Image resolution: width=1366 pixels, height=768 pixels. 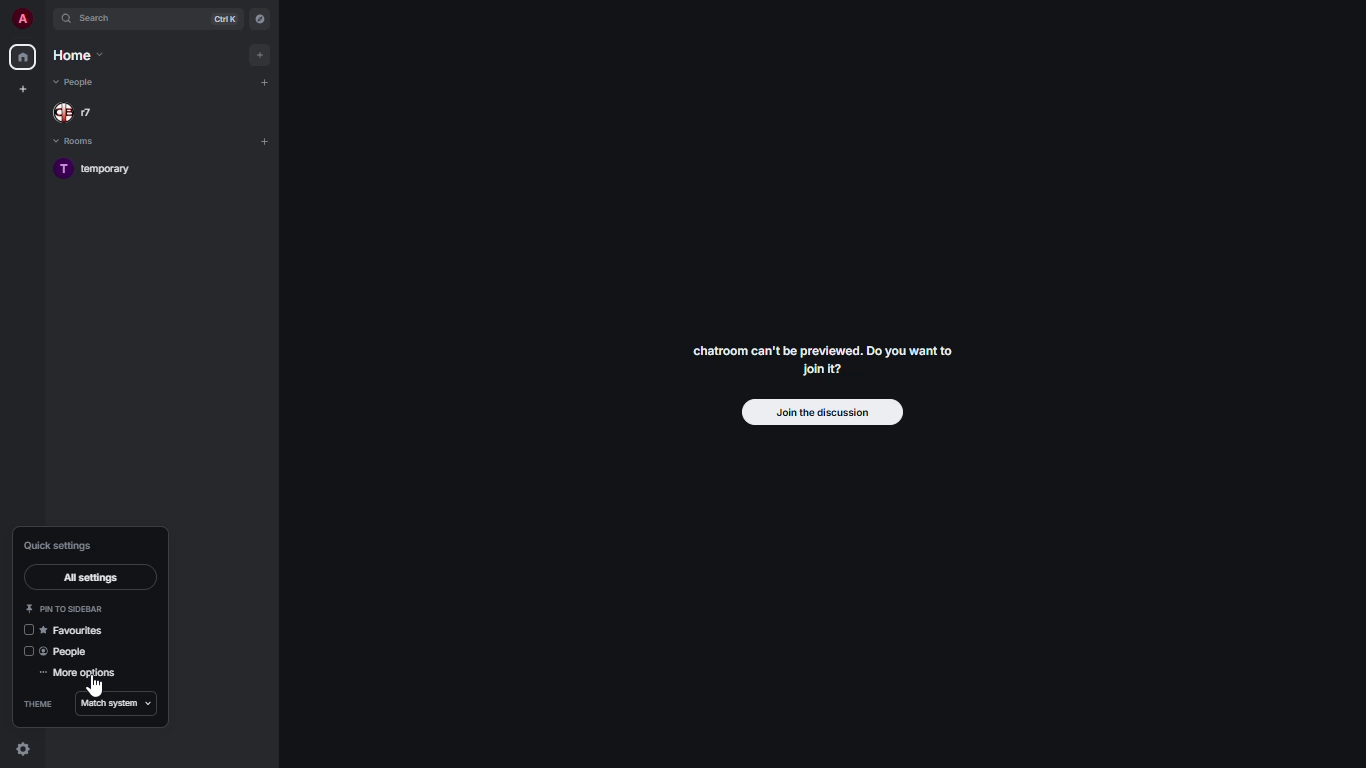 I want to click on add, so click(x=262, y=82).